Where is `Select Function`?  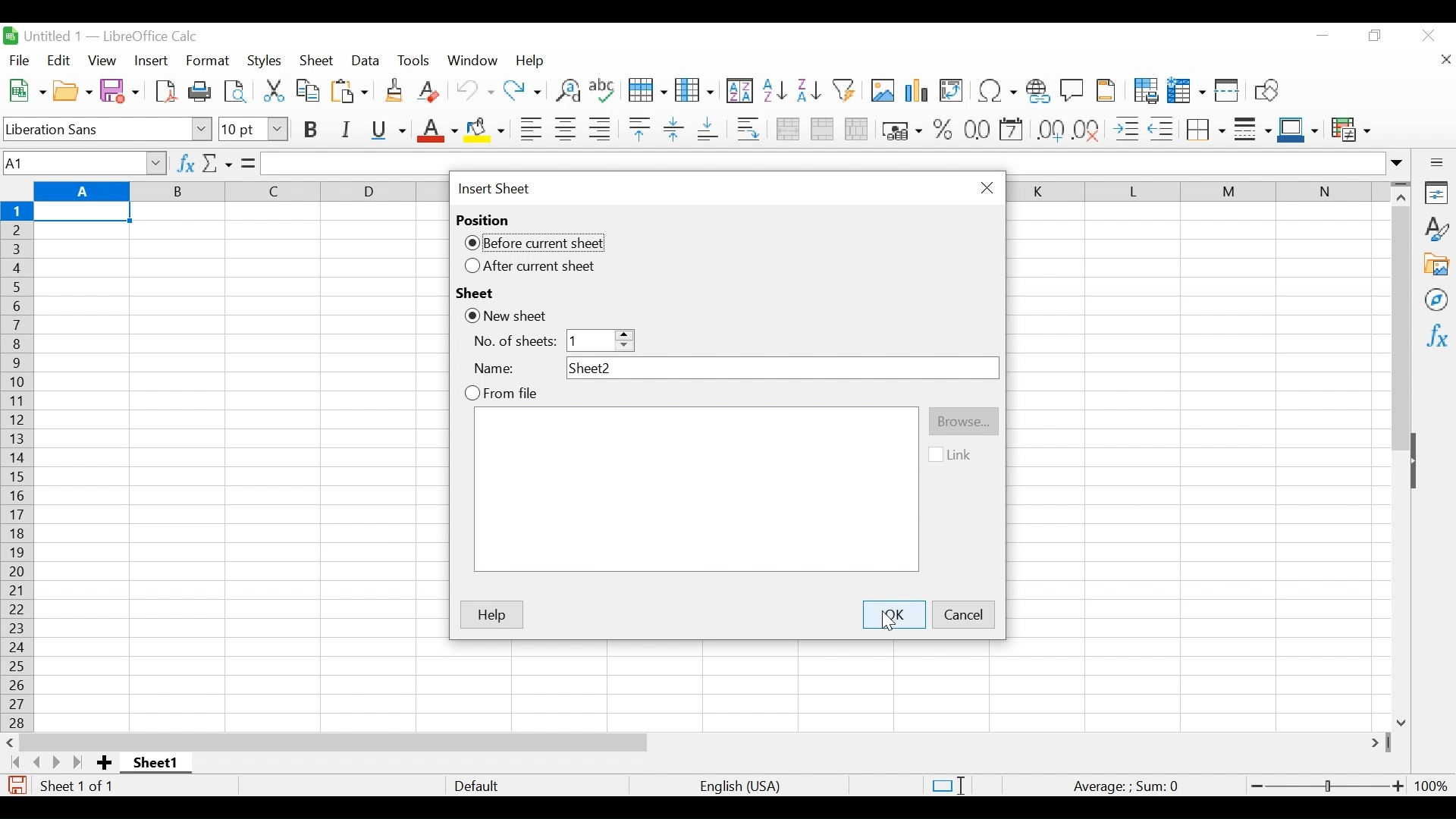
Select Function is located at coordinates (217, 163).